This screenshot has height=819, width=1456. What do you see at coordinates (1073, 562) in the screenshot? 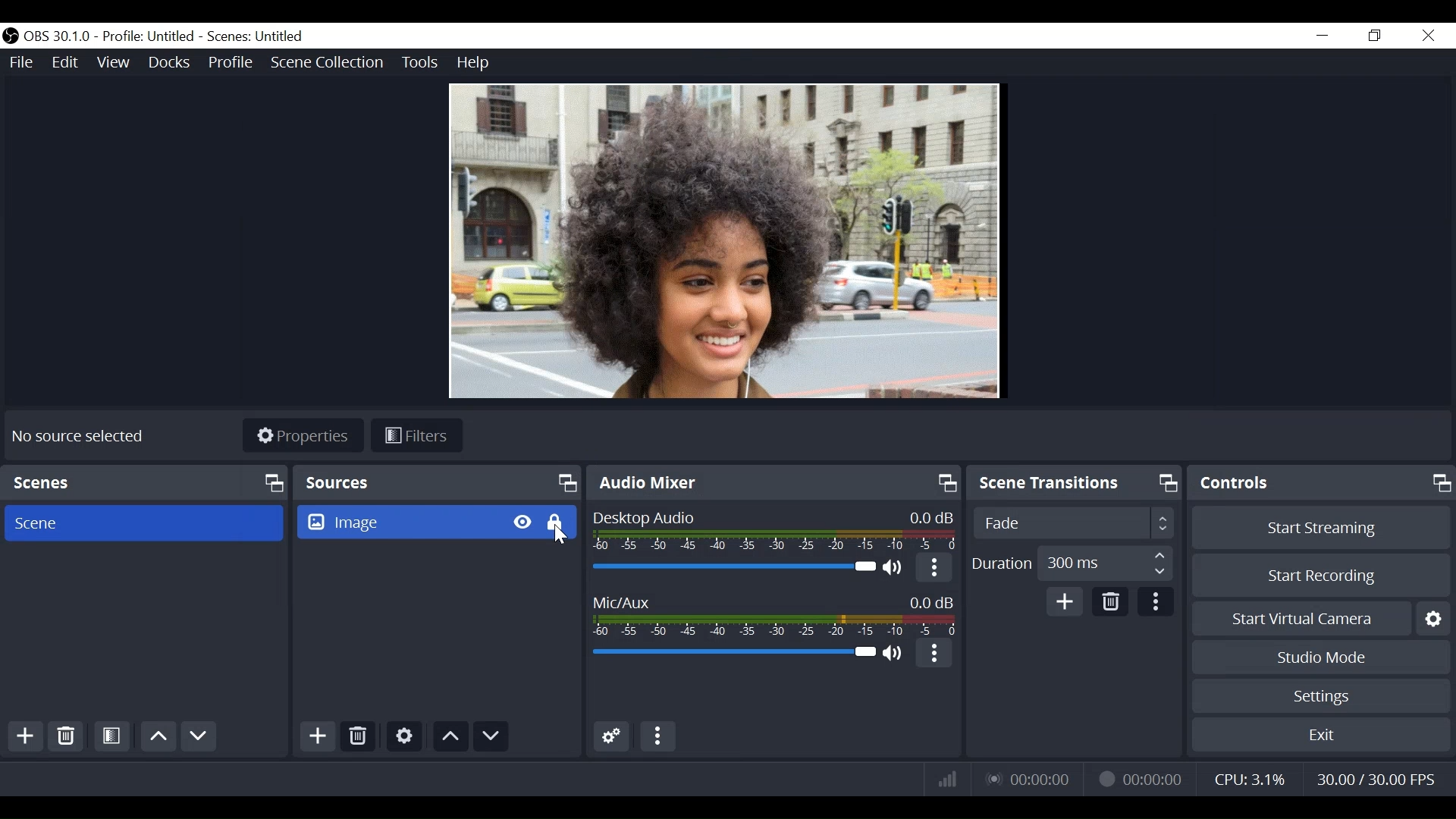
I see `Duration 300 ms` at bounding box center [1073, 562].